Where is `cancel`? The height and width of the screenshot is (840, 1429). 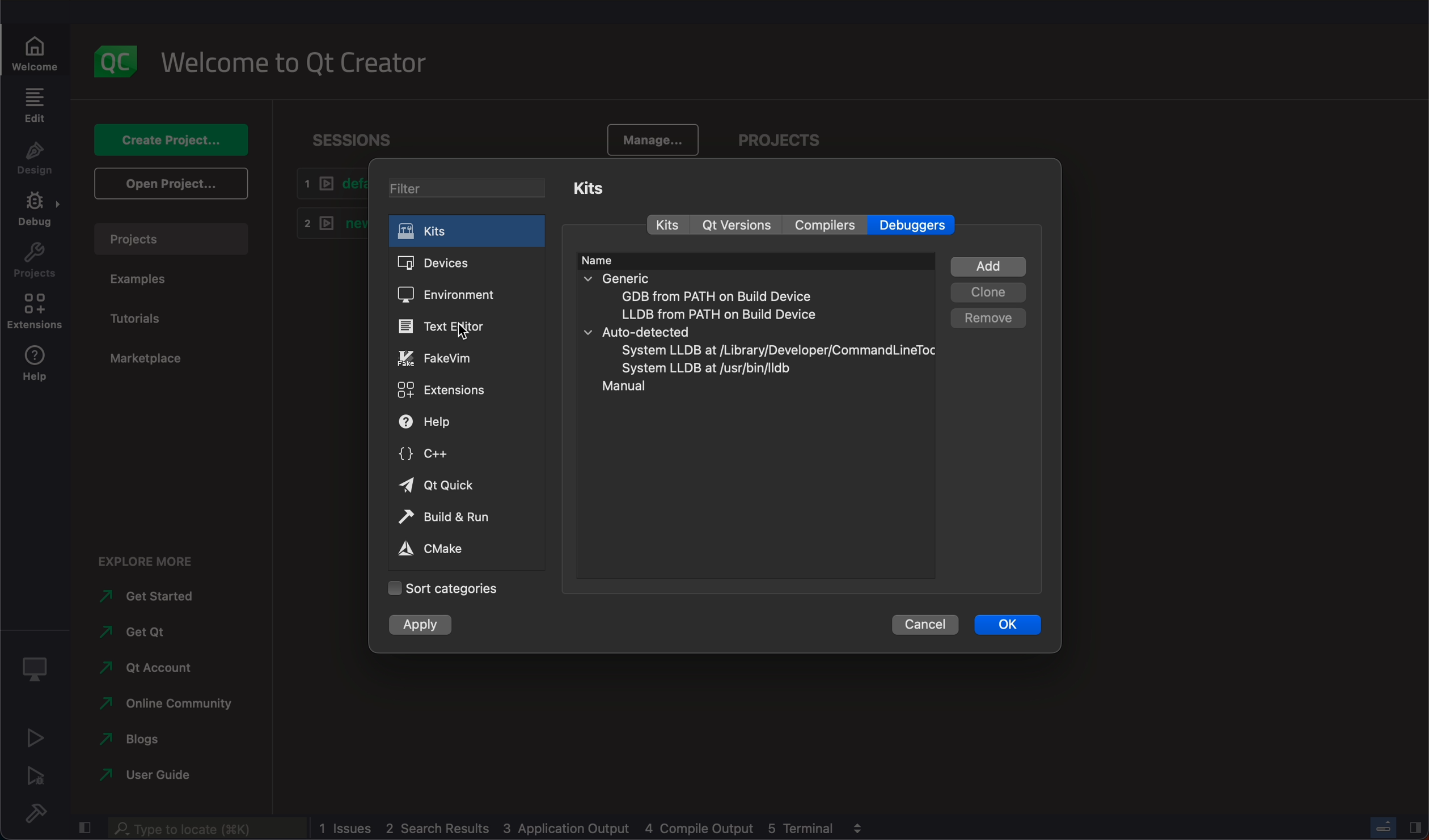
cancel is located at coordinates (927, 627).